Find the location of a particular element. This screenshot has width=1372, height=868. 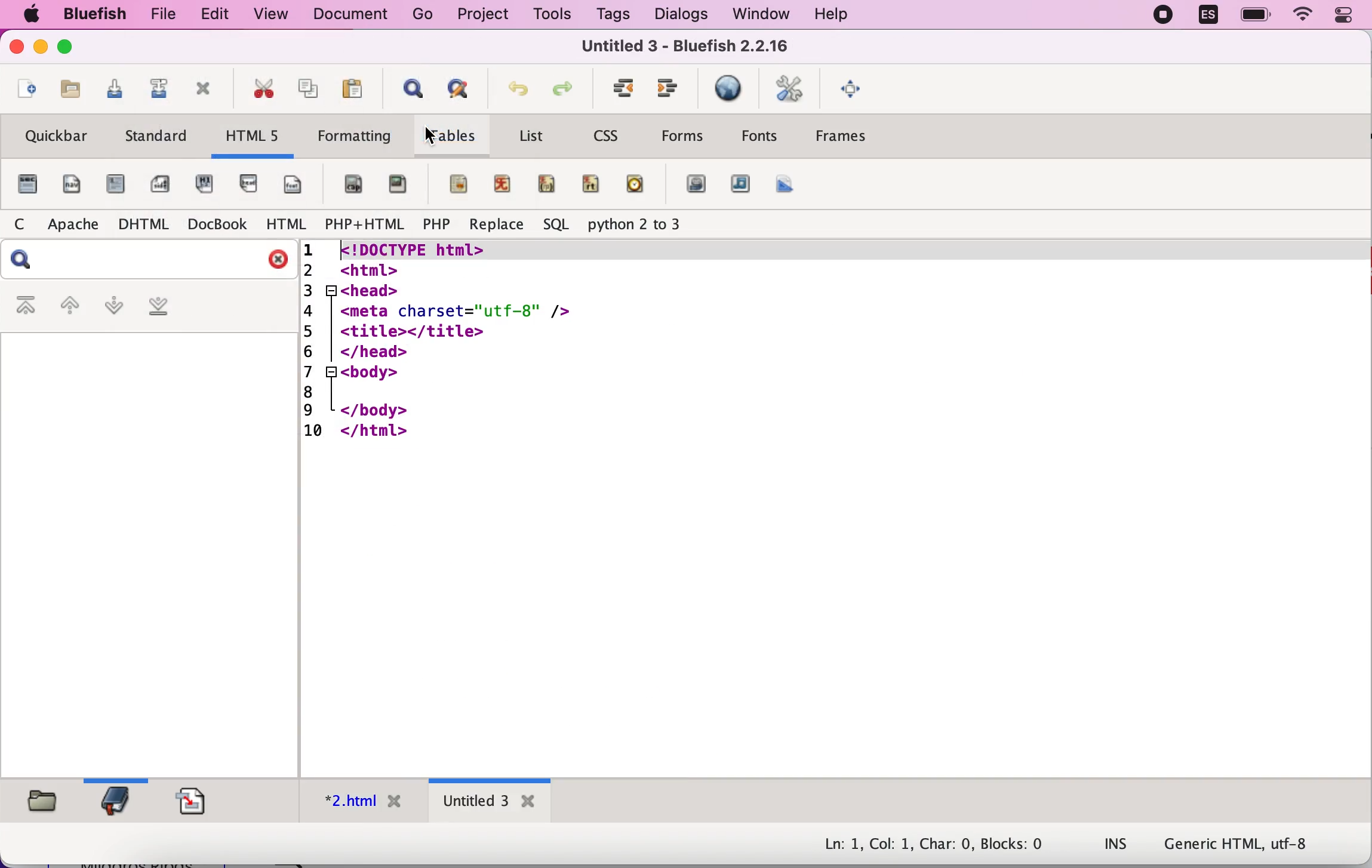

open file is located at coordinates (67, 94).